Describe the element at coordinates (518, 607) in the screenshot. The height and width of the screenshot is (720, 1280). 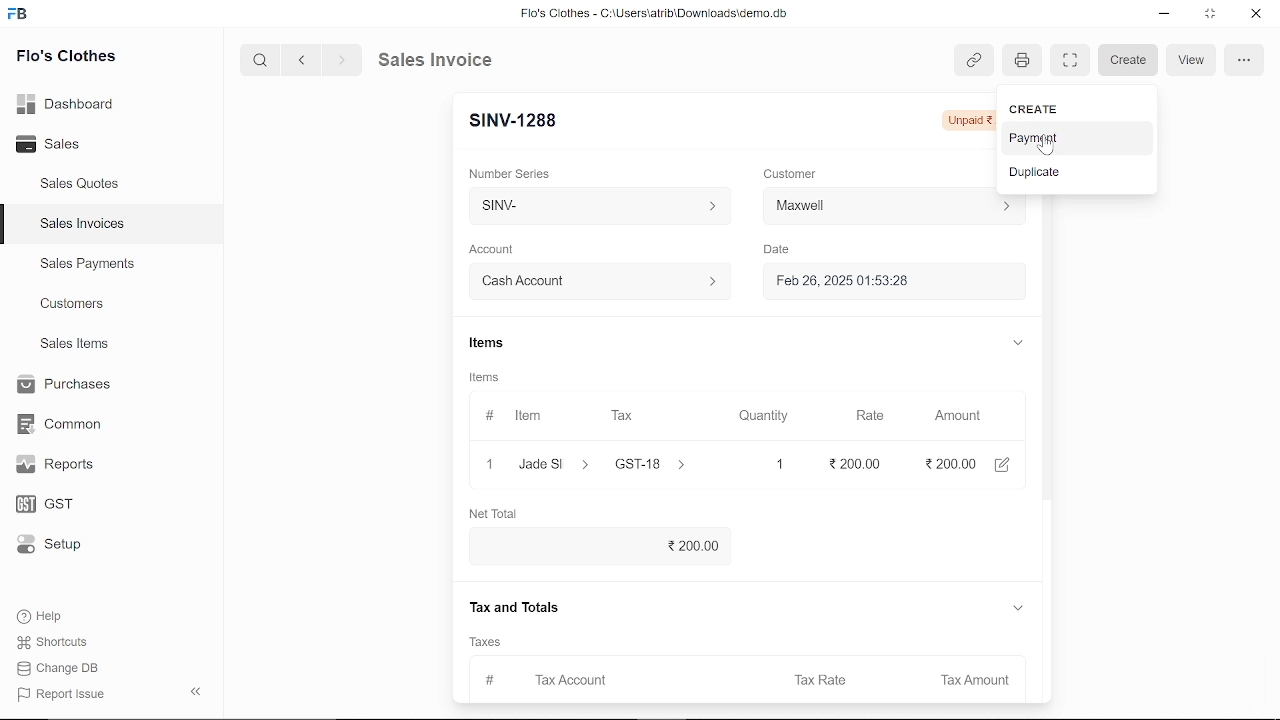
I see `Tax and Totals` at that location.